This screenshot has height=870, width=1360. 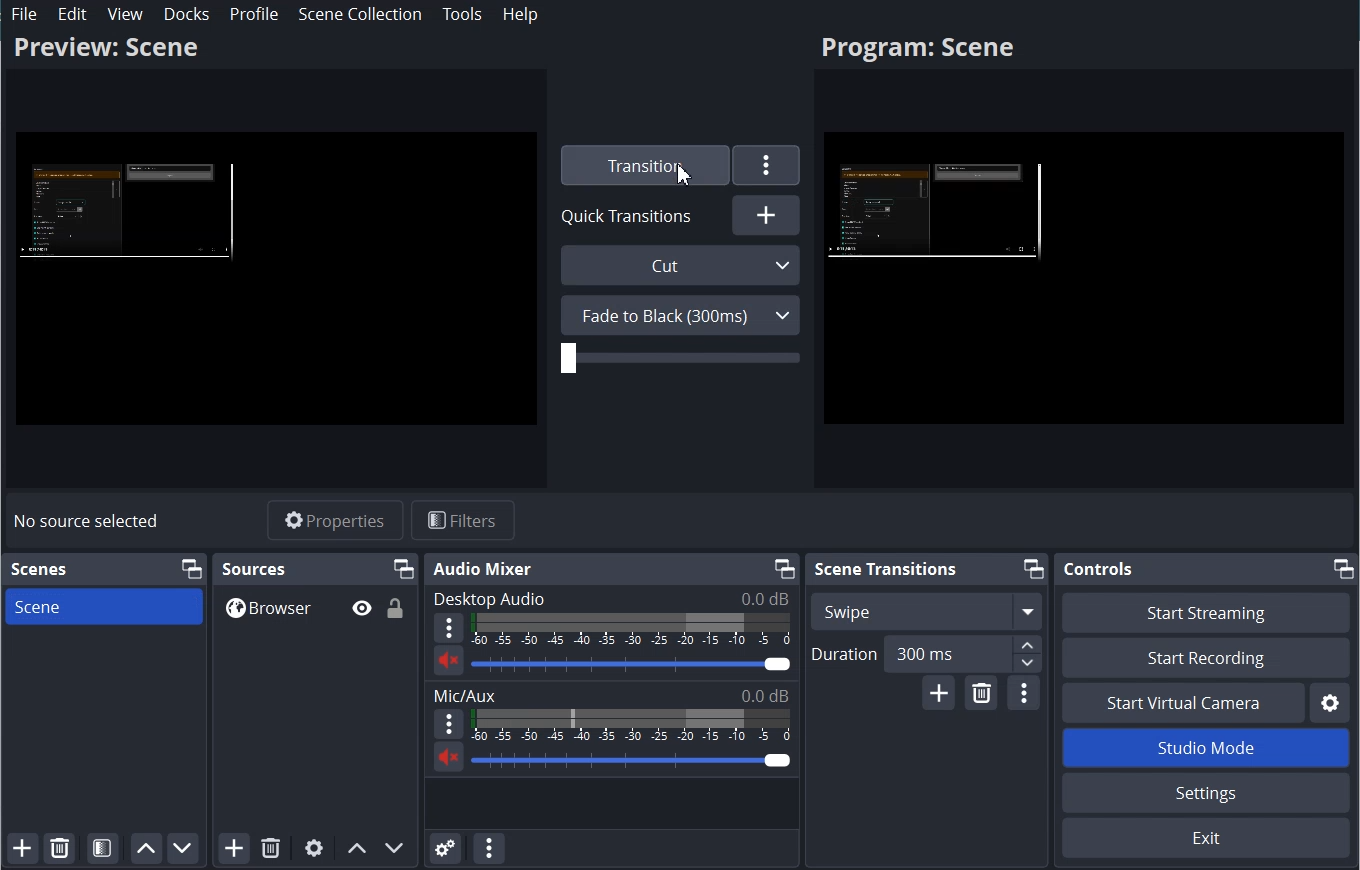 What do you see at coordinates (1344, 568) in the screenshot?
I see `Maximize` at bounding box center [1344, 568].